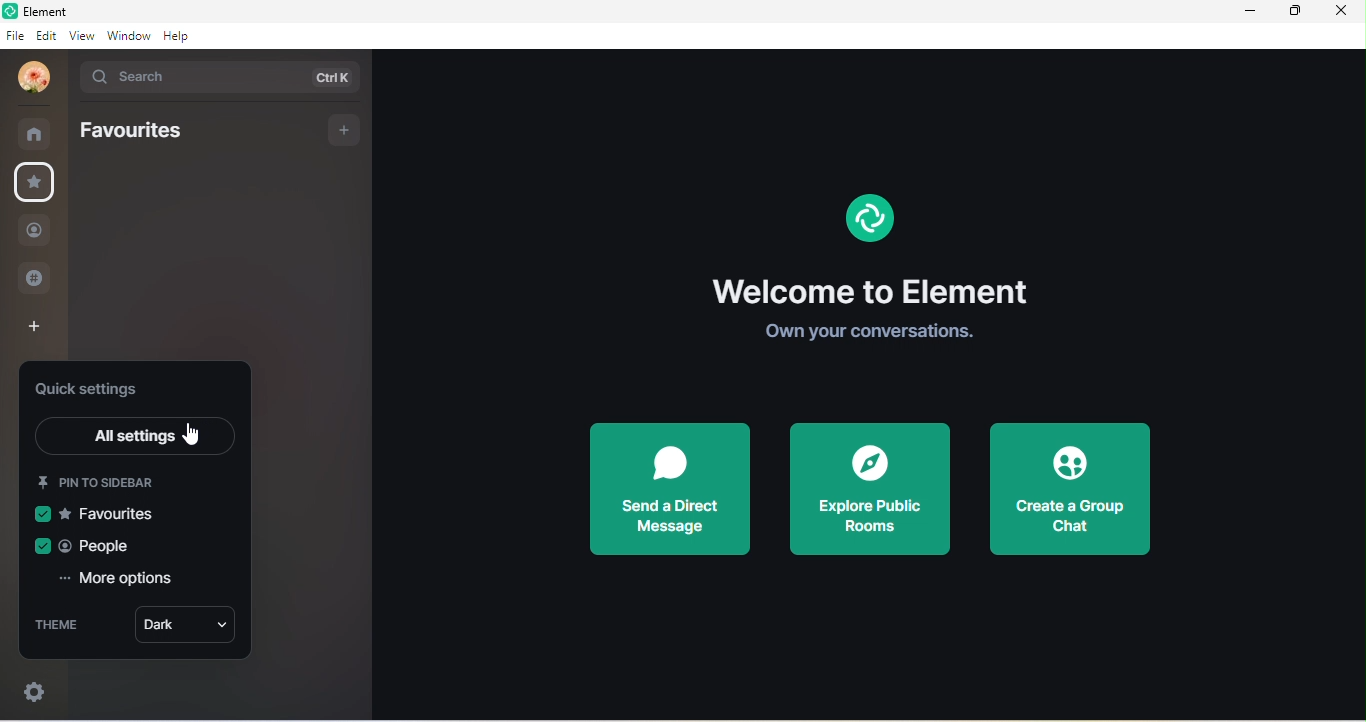  What do you see at coordinates (122, 580) in the screenshot?
I see `more options` at bounding box center [122, 580].